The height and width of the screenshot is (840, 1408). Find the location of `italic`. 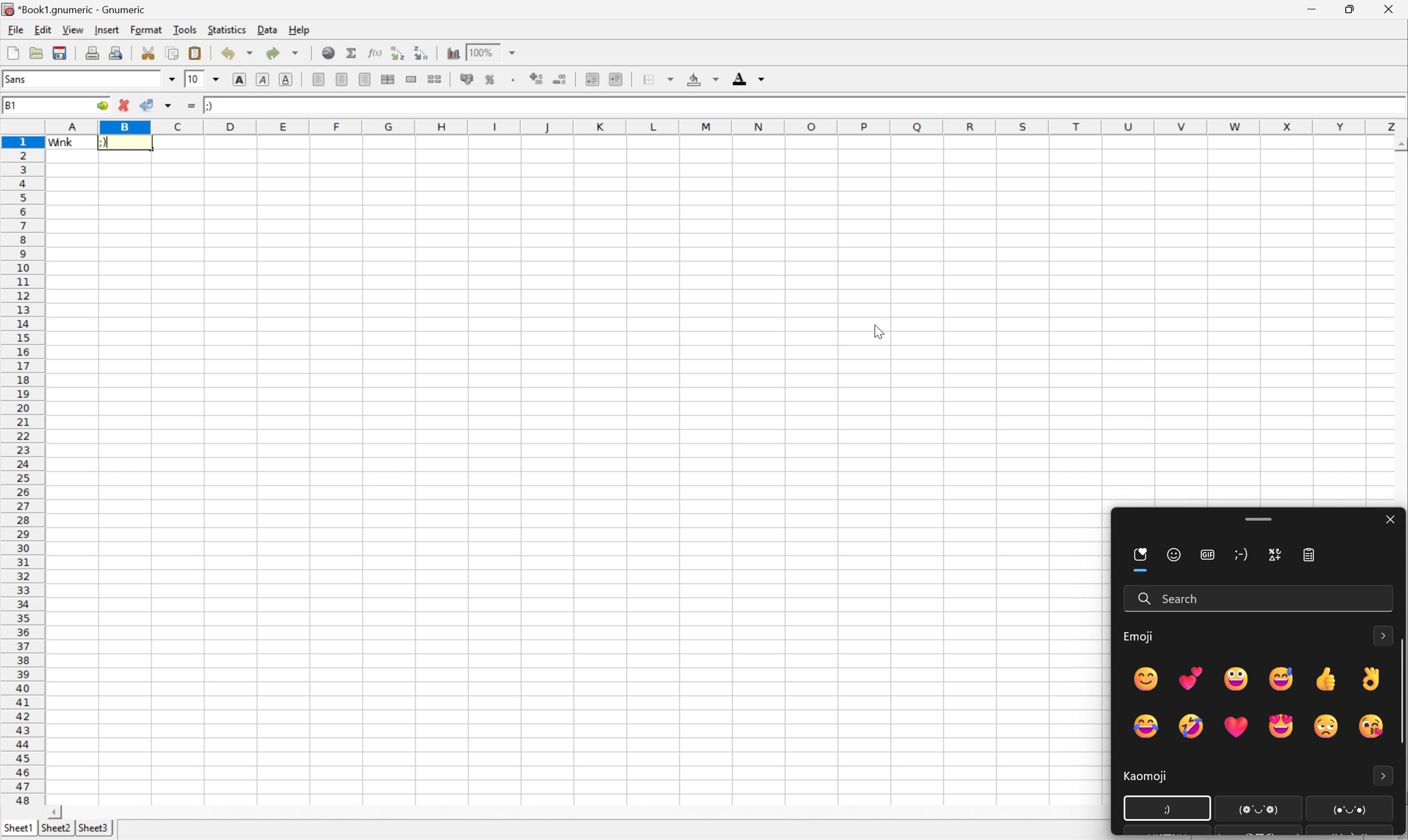

italic is located at coordinates (263, 78).